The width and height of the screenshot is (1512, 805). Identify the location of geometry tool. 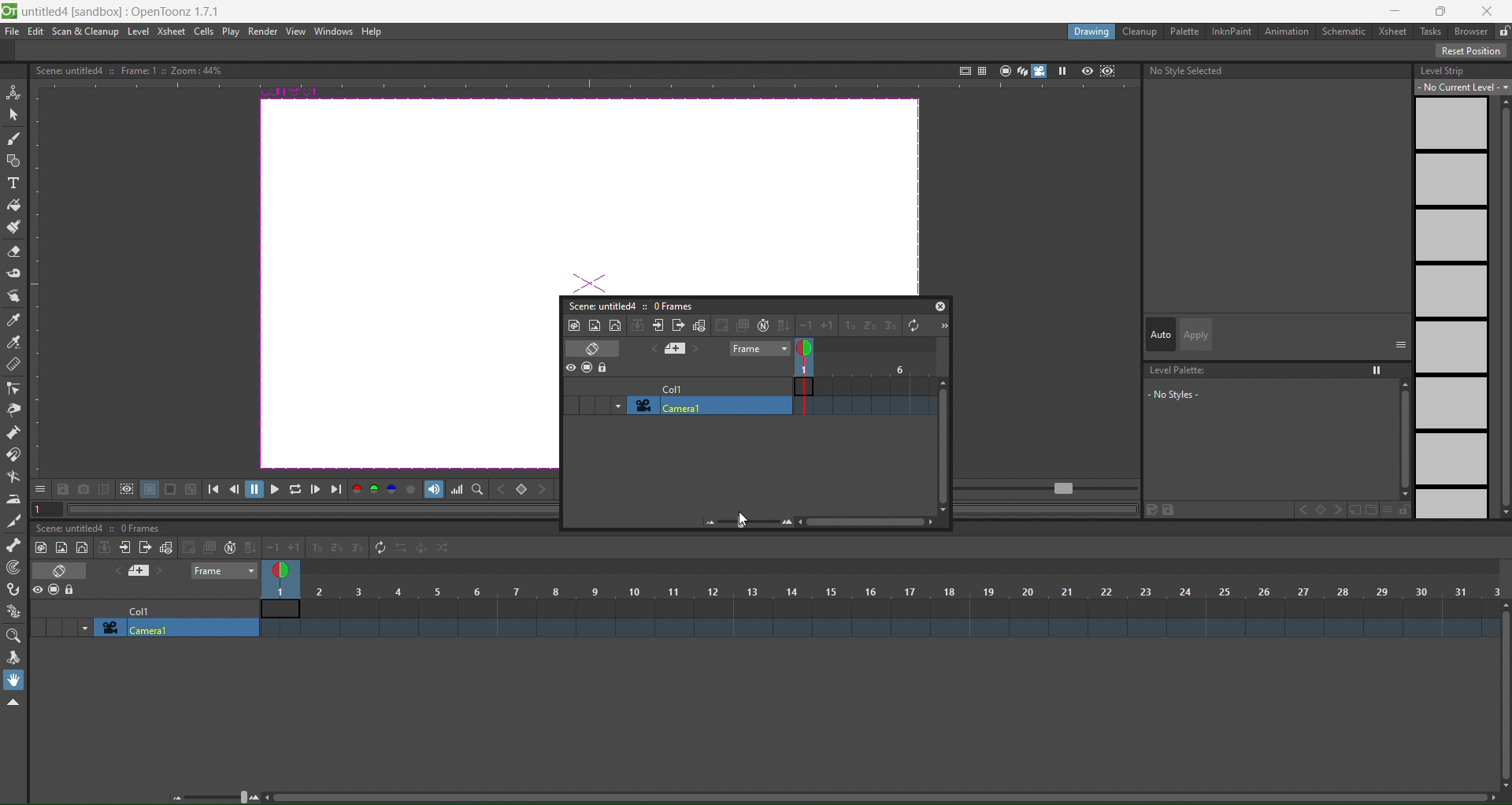
(14, 162).